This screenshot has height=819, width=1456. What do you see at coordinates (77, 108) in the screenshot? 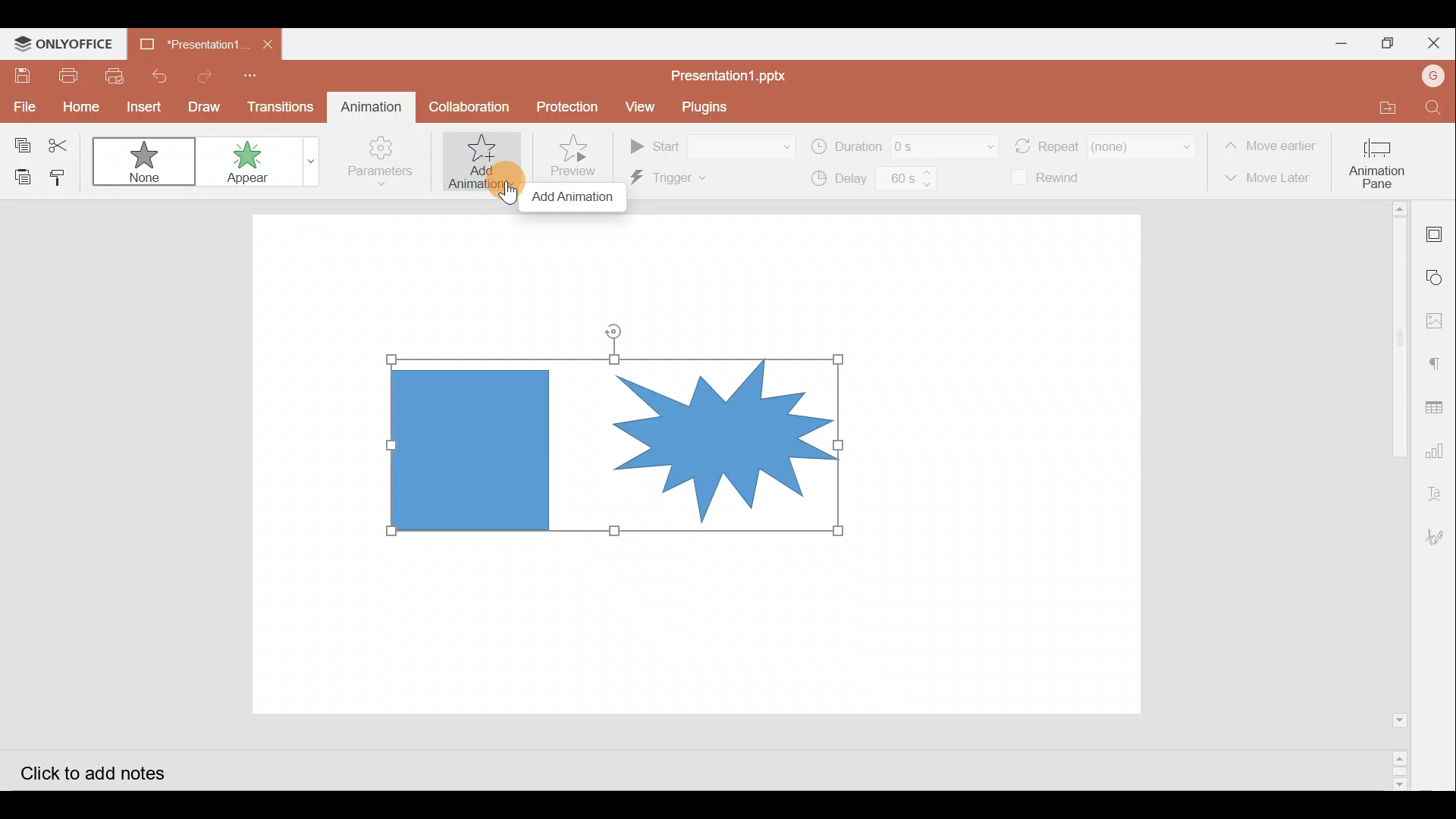
I see `Home` at bounding box center [77, 108].